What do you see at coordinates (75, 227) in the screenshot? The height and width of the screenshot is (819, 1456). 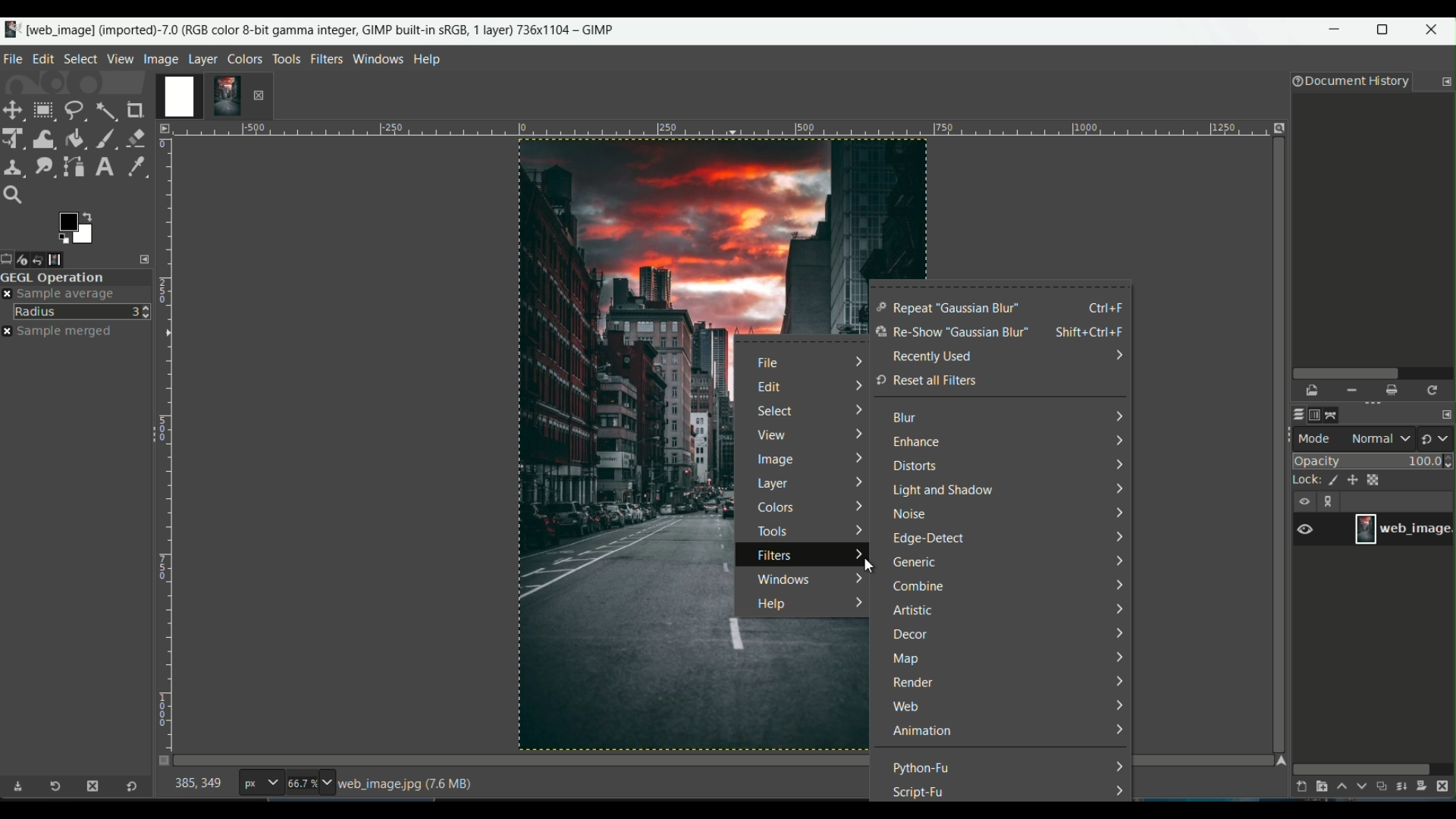 I see `change background color` at bounding box center [75, 227].